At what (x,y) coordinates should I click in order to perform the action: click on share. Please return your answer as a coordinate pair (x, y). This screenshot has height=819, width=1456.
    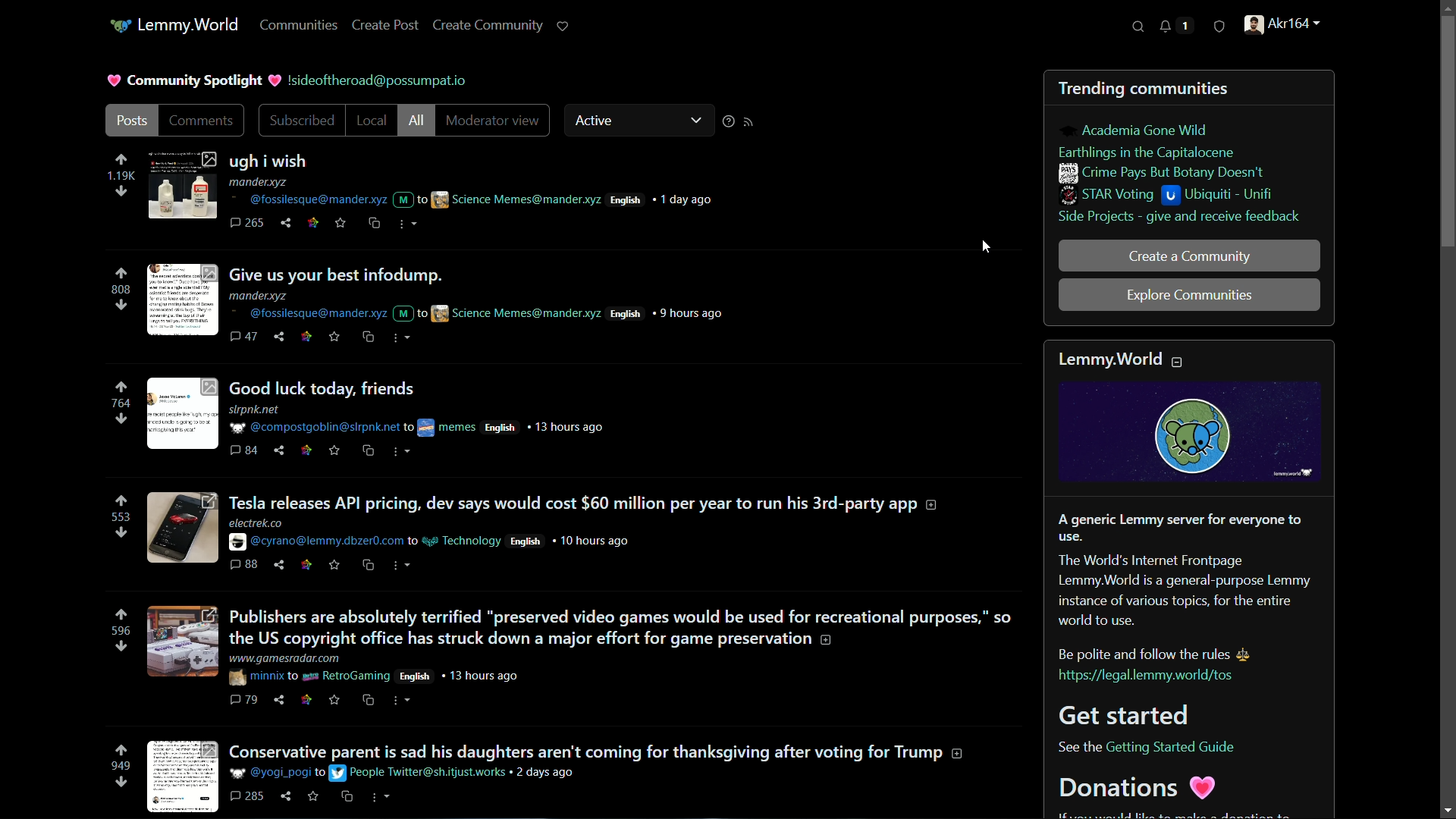
    Looking at the image, I should click on (281, 700).